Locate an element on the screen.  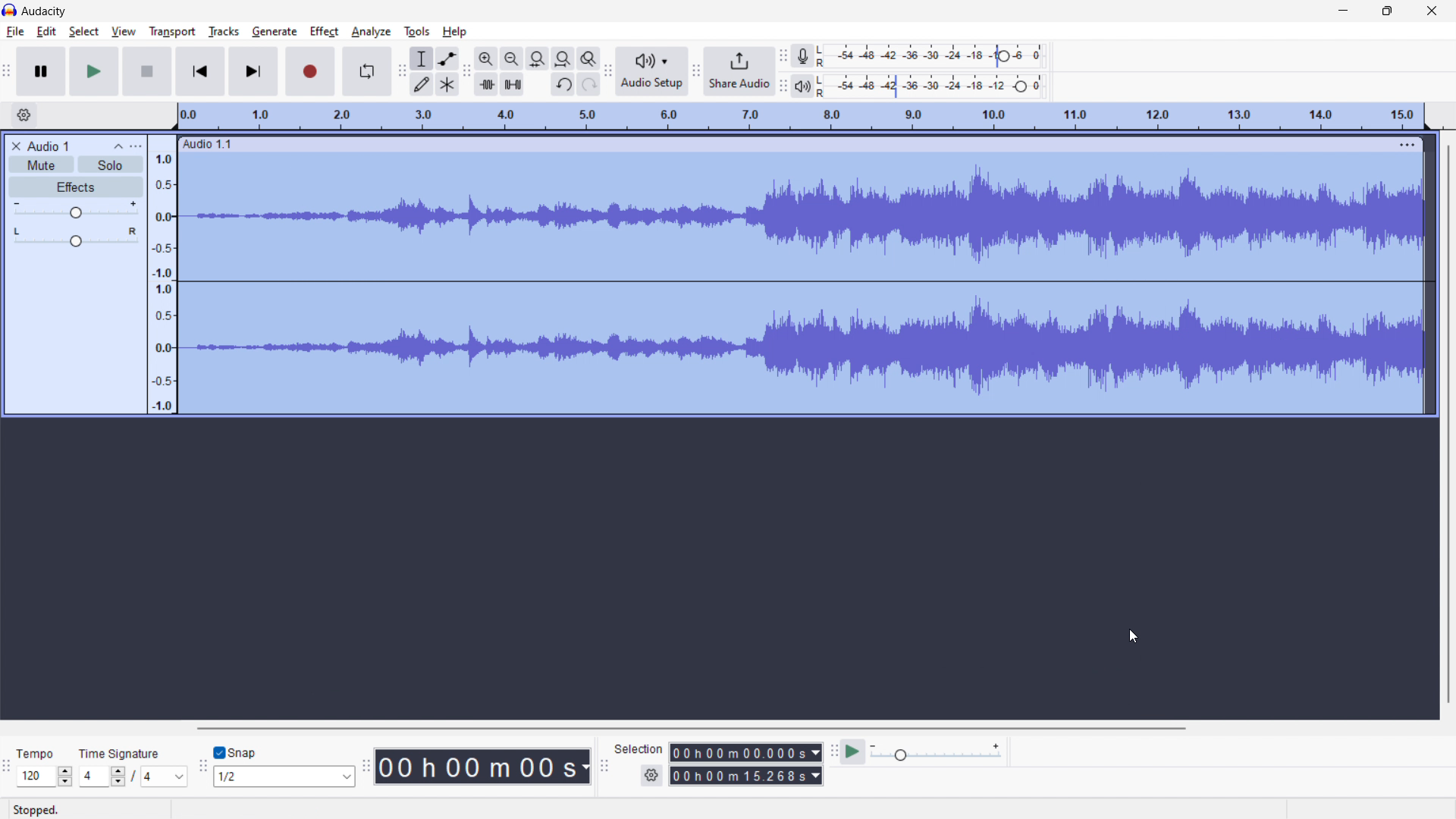
Selection is located at coordinates (639, 747).